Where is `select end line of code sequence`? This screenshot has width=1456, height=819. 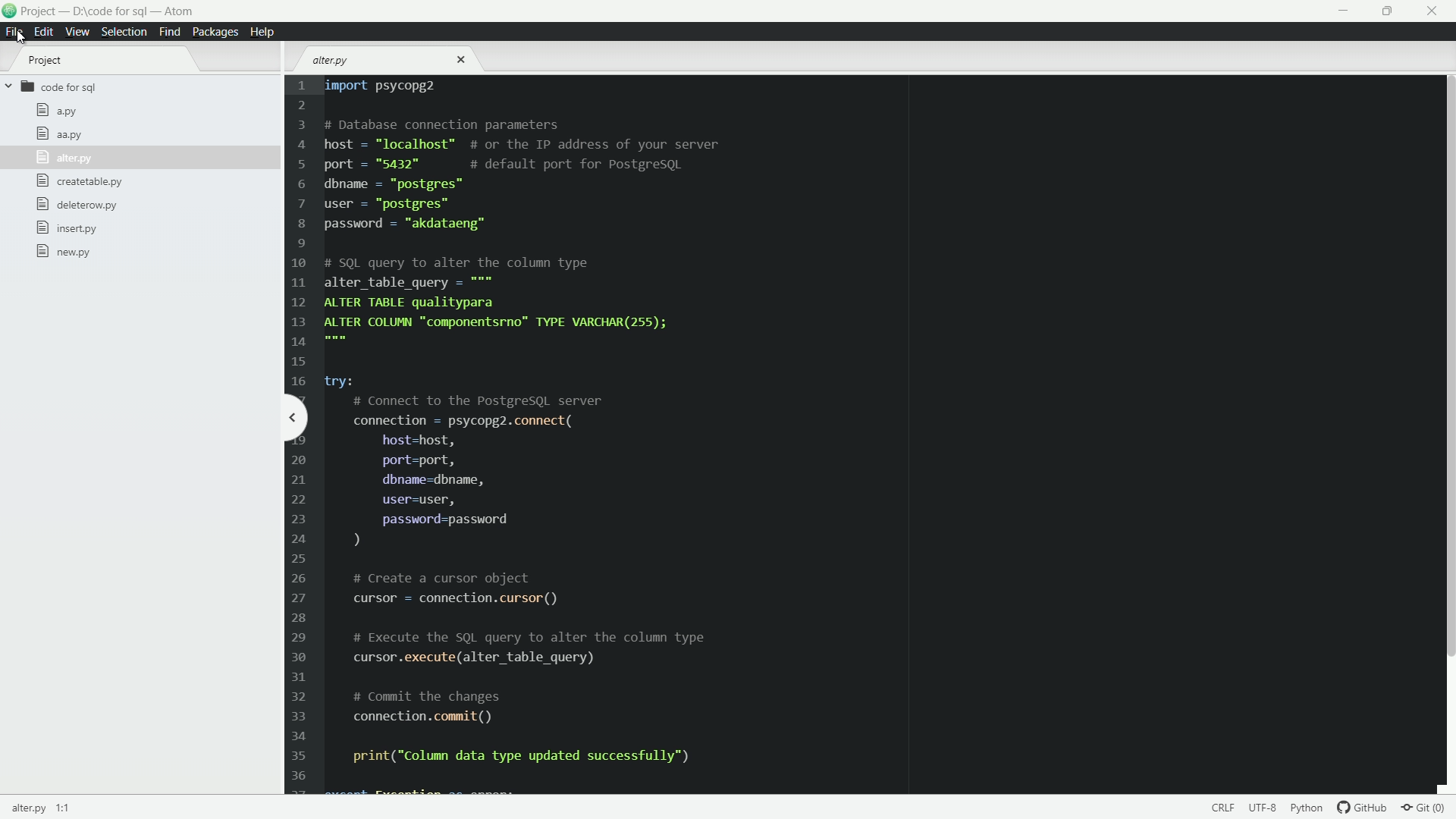
select end line of code sequence is located at coordinates (1263, 807).